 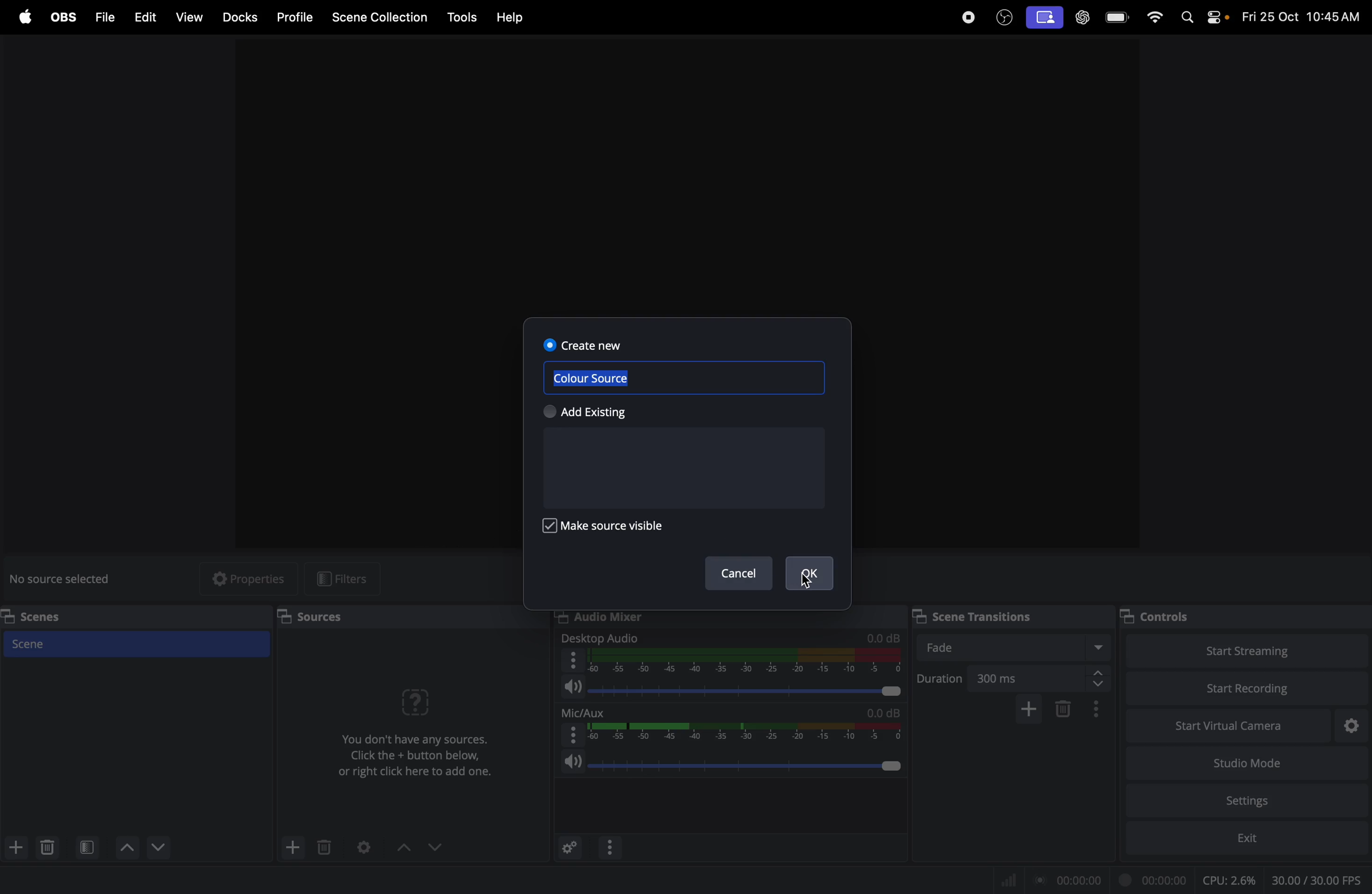 I want to click on move scene down, so click(x=126, y=847).